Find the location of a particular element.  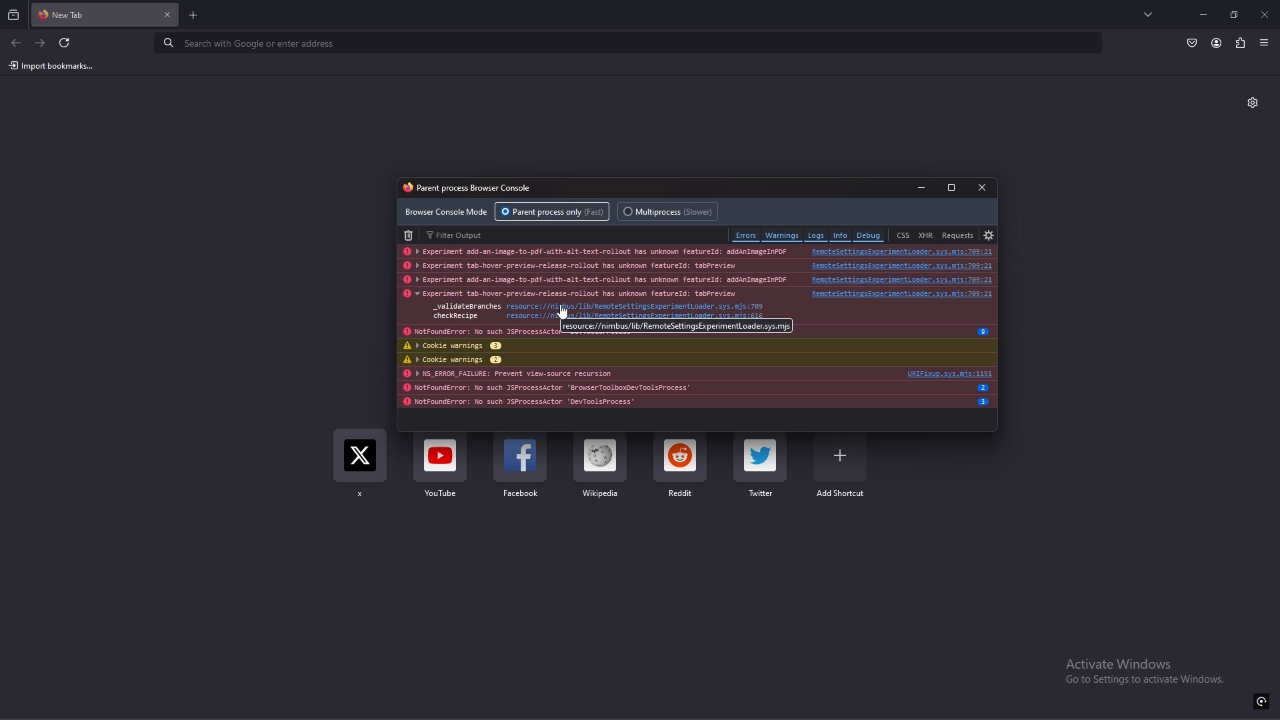

recent browsing is located at coordinates (14, 16).